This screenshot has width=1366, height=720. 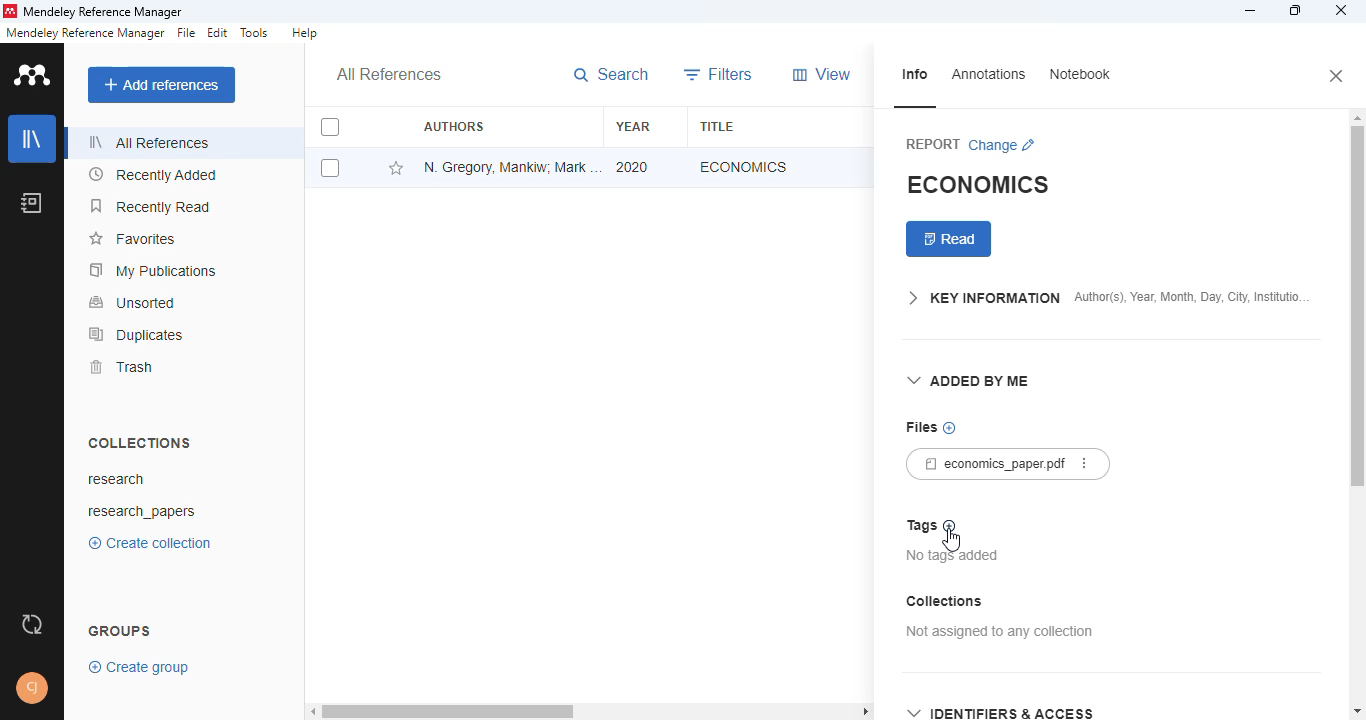 What do you see at coordinates (999, 631) in the screenshot?
I see `not assigned to any collection` at bounding box center [999, 631].